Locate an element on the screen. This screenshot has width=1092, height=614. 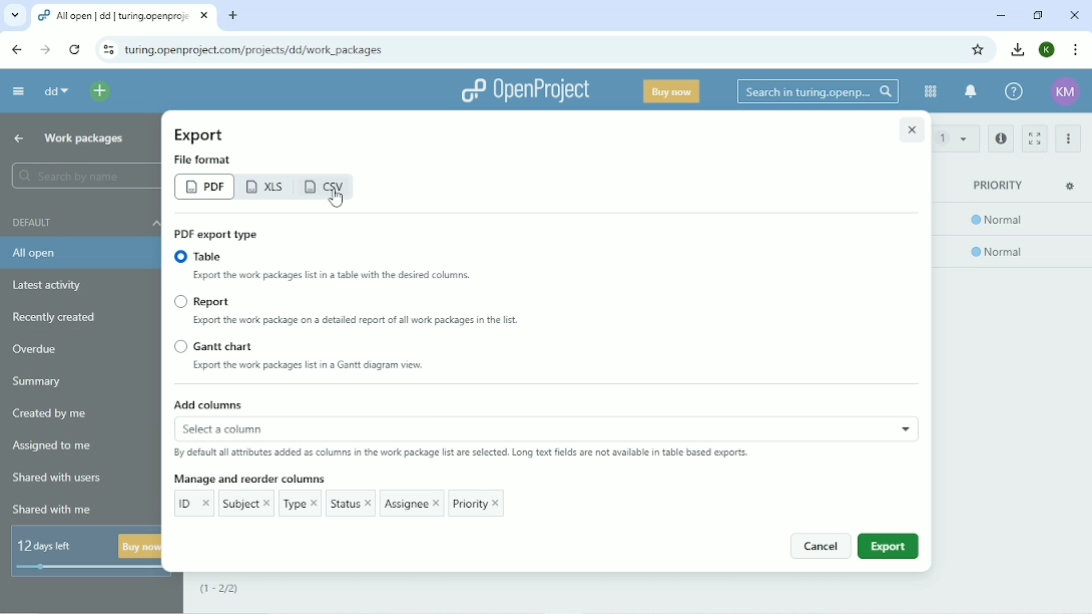
Report is located at coordinates (202, 302).